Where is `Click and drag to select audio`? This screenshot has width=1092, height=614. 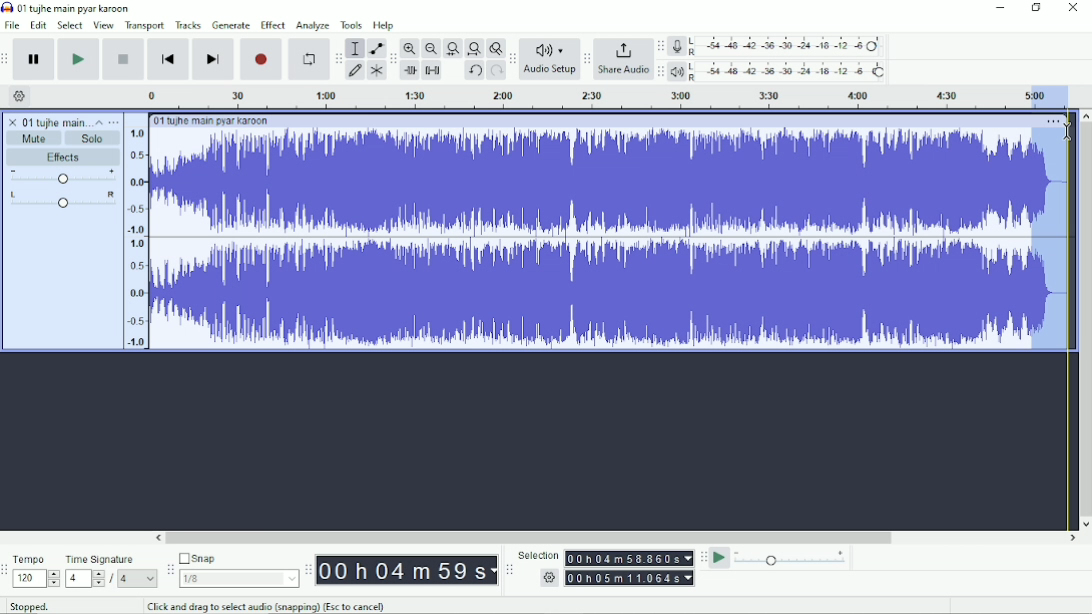
Click and drag to select audio is located at coordinates (268, 606).